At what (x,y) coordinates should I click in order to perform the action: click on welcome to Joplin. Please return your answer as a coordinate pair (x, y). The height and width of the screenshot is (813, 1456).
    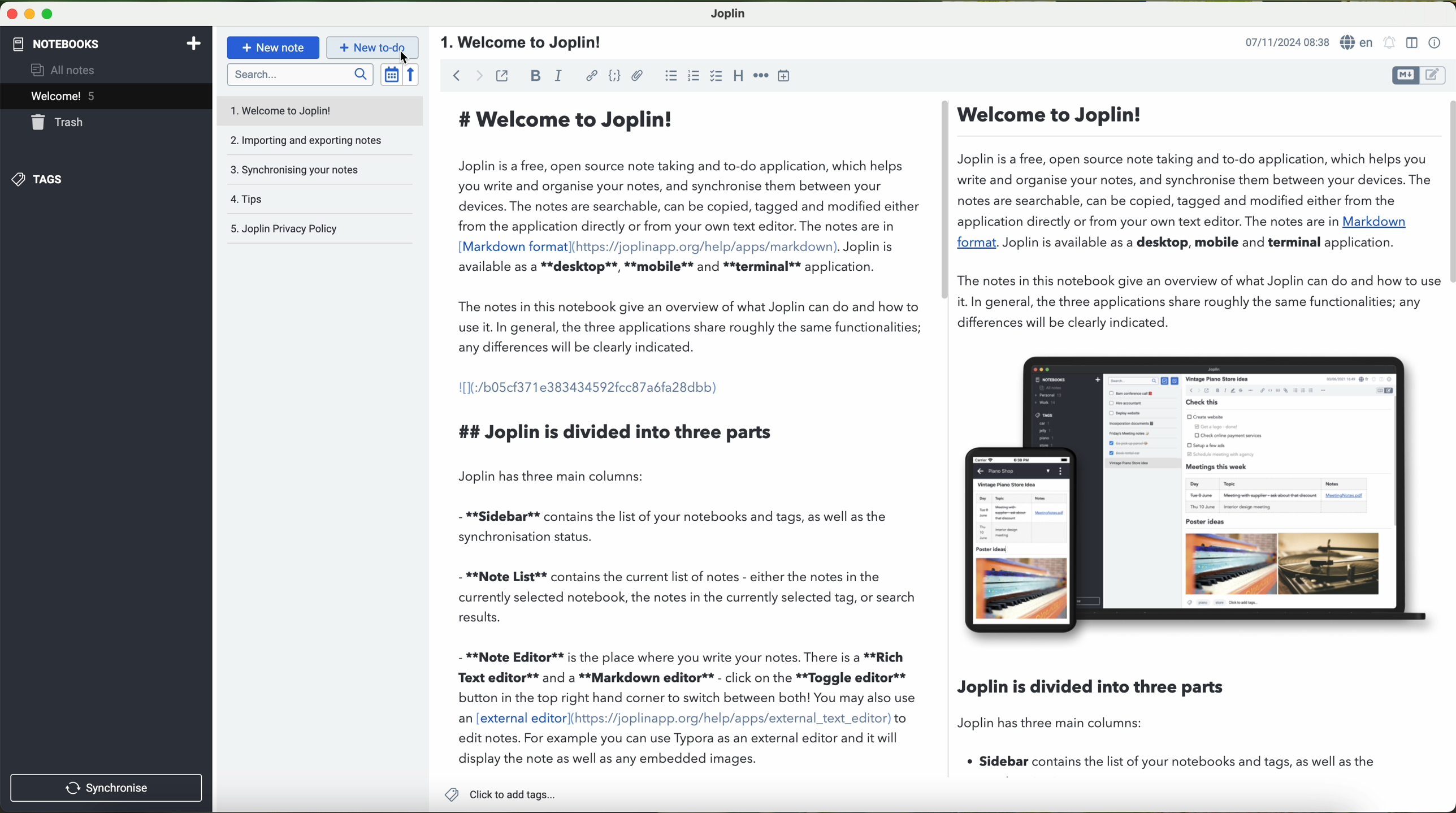
    Looking at the image, I should click on (322, 111).